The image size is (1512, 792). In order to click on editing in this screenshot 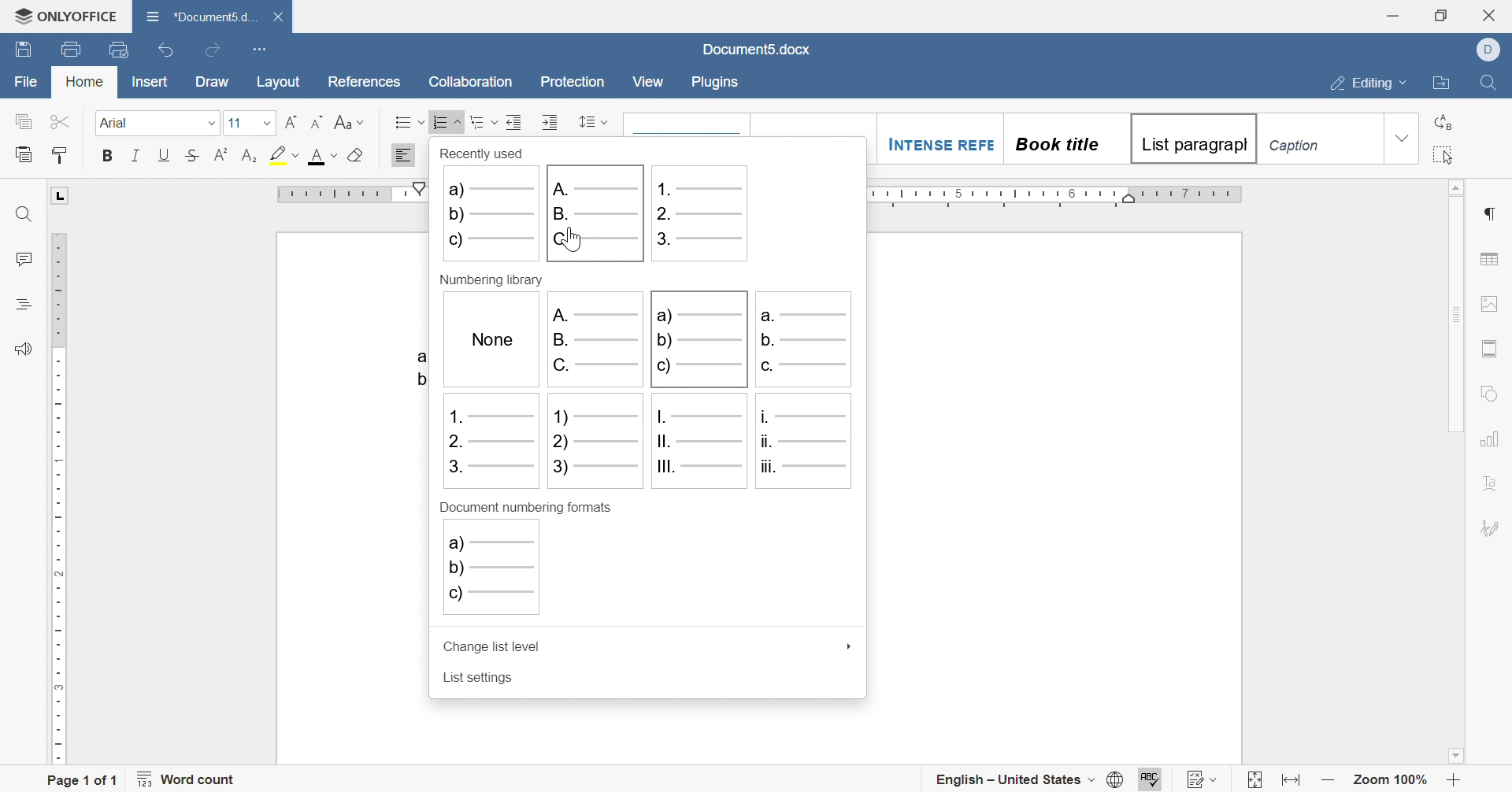, I will do `click(1370, 83)`.